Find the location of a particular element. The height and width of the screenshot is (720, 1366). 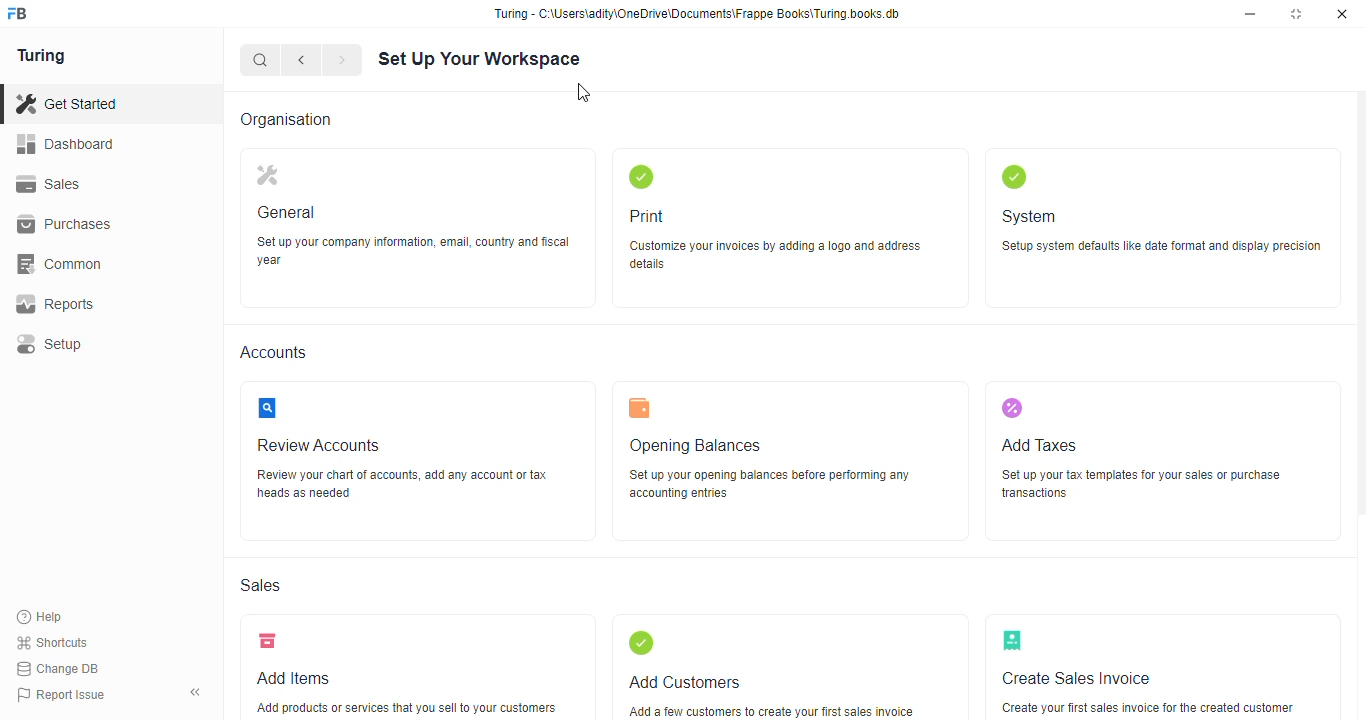

Help is located at coordinates (43, 616).